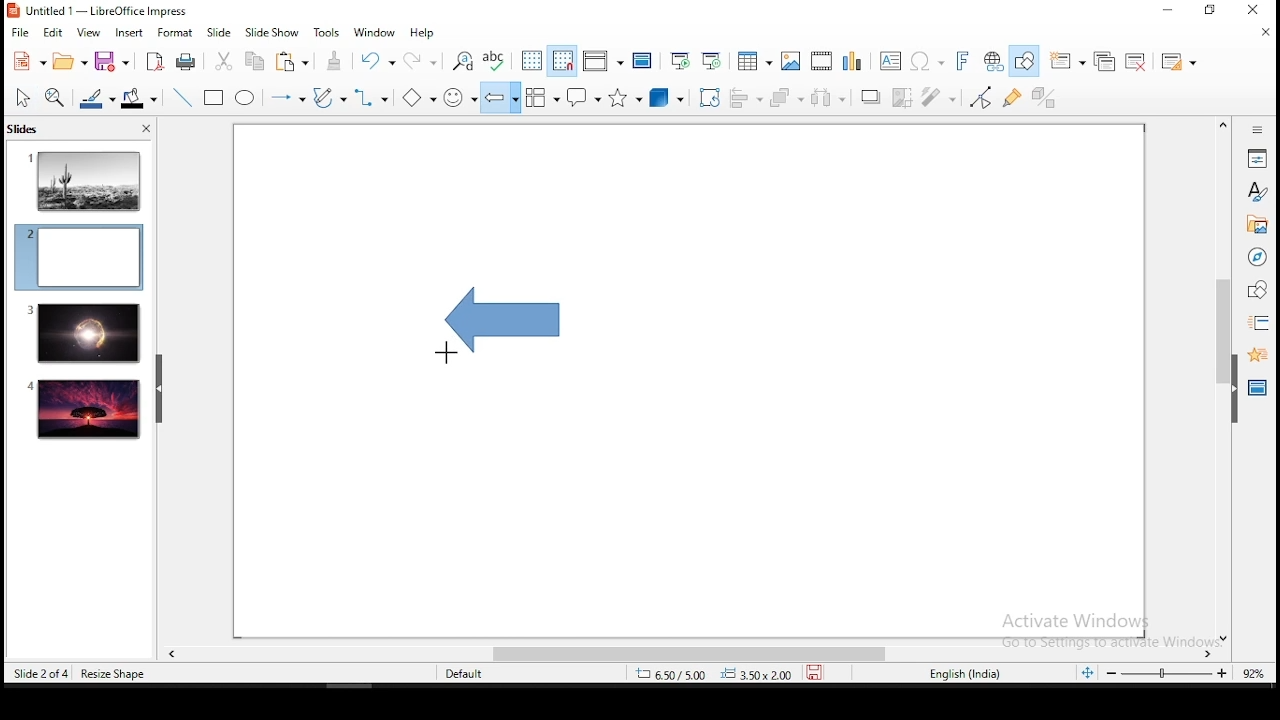  I want to click on resize shape, so click(114, 673).